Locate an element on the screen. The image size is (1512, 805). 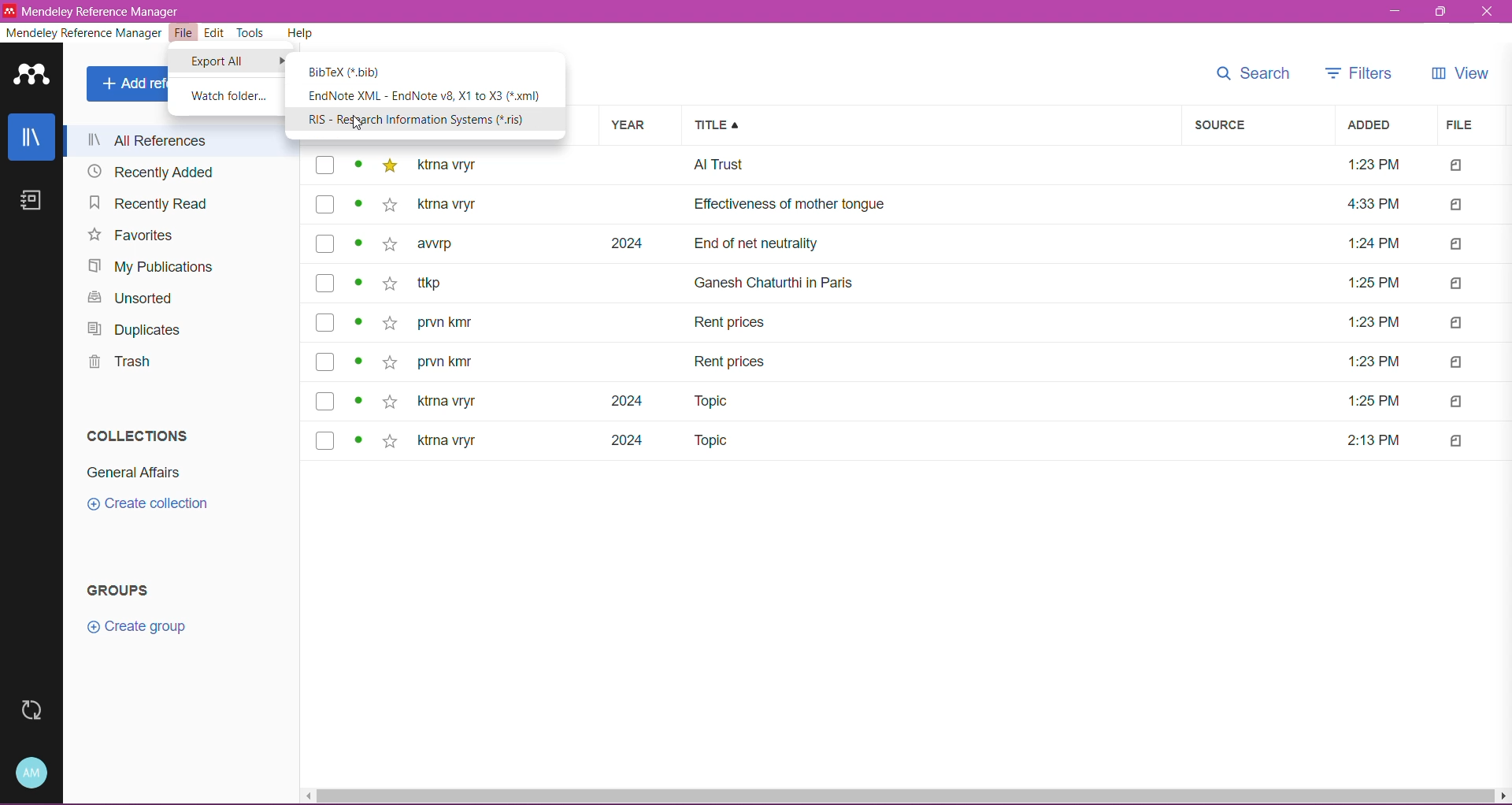
ktrna vryr 2024 Topic 1:25 PM is located at coordinates (910, 401).